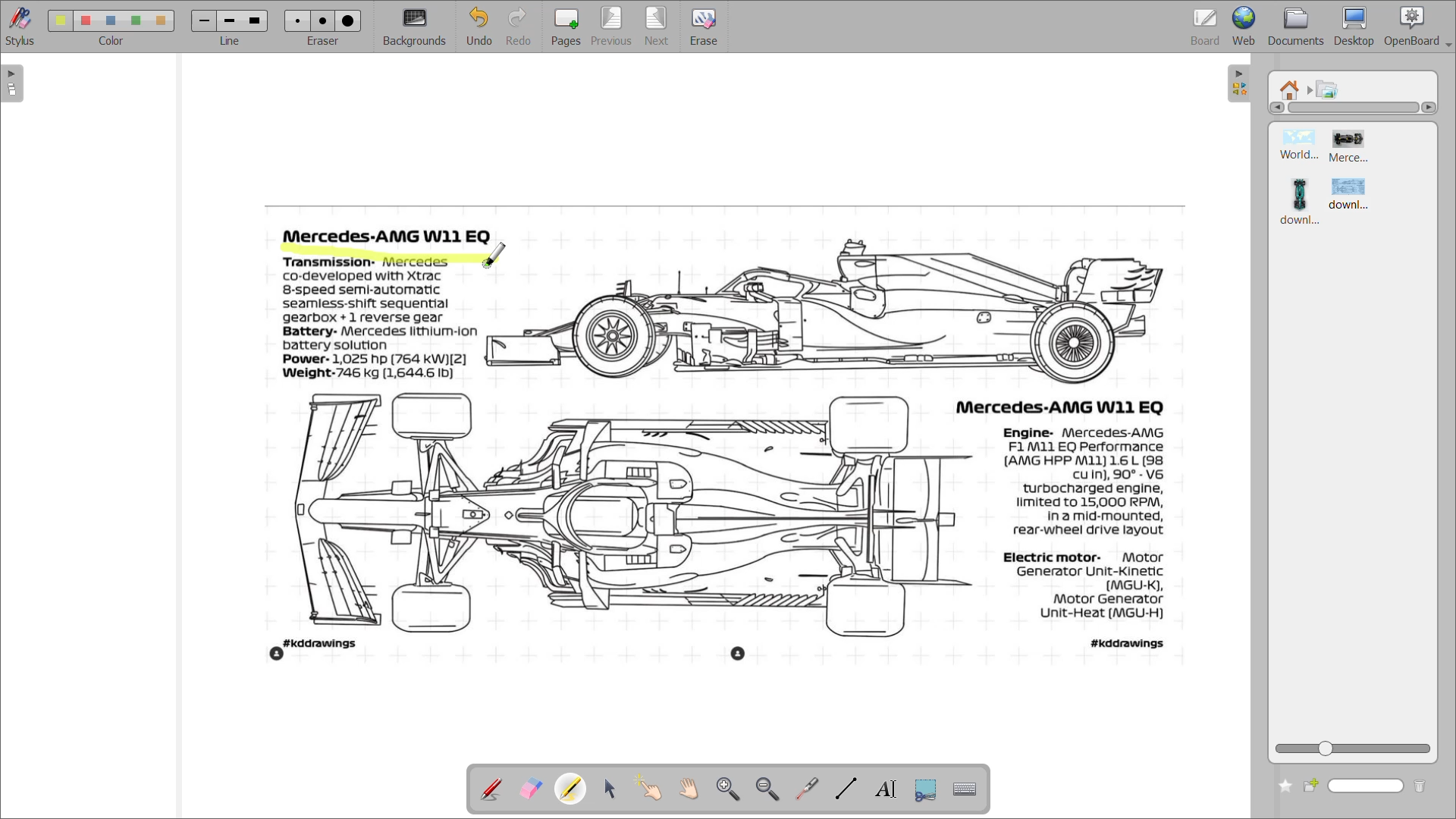 The height and width of the screenshot is (819, 1456). What do you see at coordinates (417, 27) in the screenshot?
I see `background` at bounding box center [417, 27].